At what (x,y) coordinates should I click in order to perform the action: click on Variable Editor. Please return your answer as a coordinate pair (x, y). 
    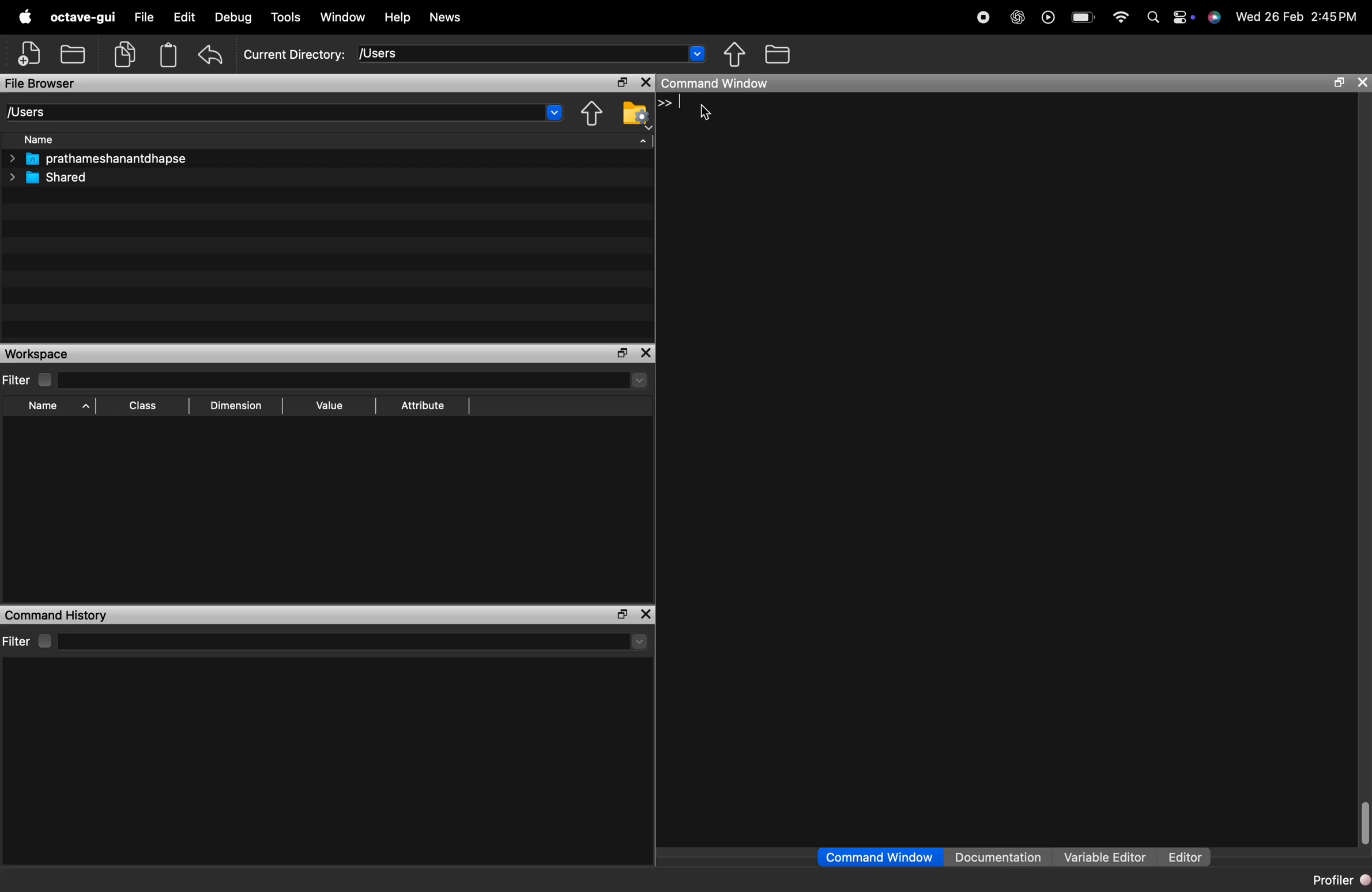
    Looking at the image, I should click on (1099, 852).